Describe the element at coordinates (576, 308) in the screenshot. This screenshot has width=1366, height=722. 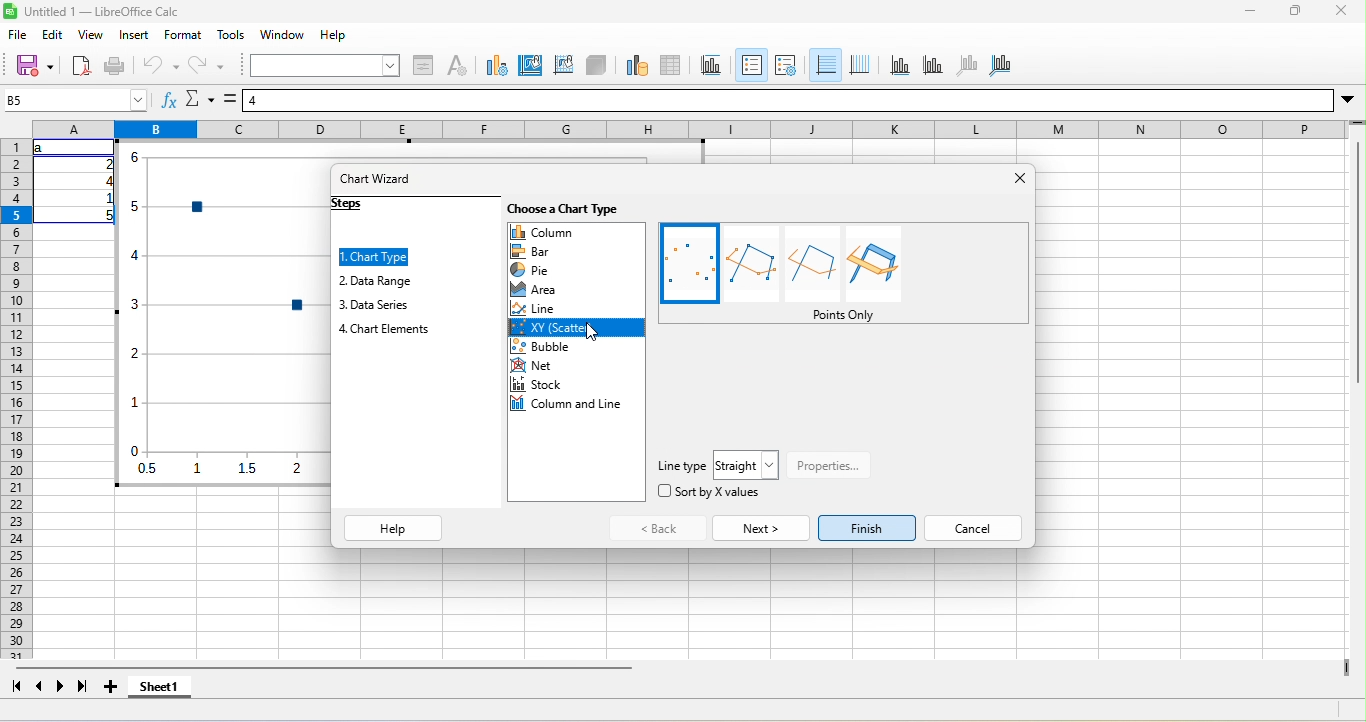
I see `line` at that location.